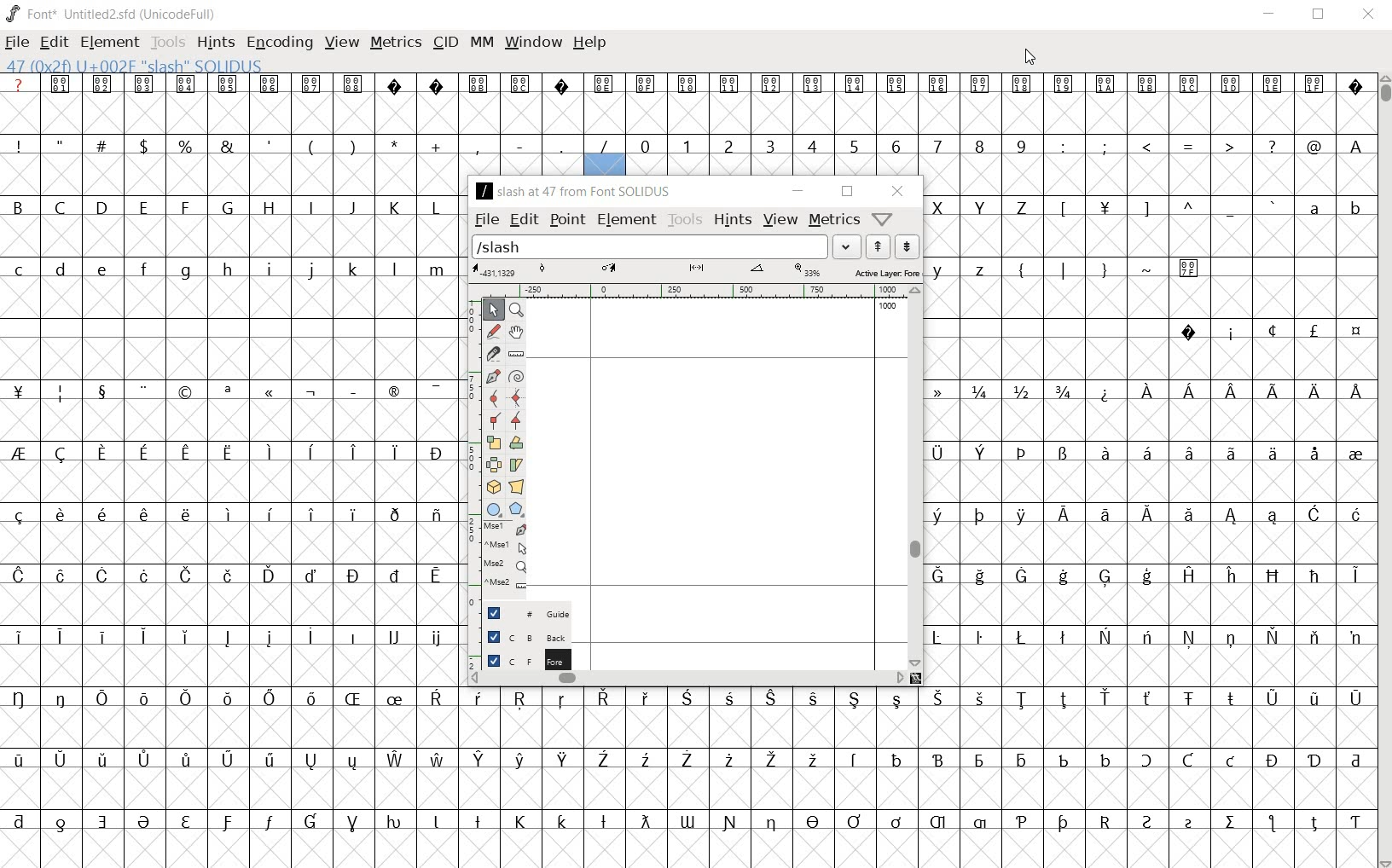 The image size is (1392, 868). I want to click on MINIMIZE, so click(1268, 16).